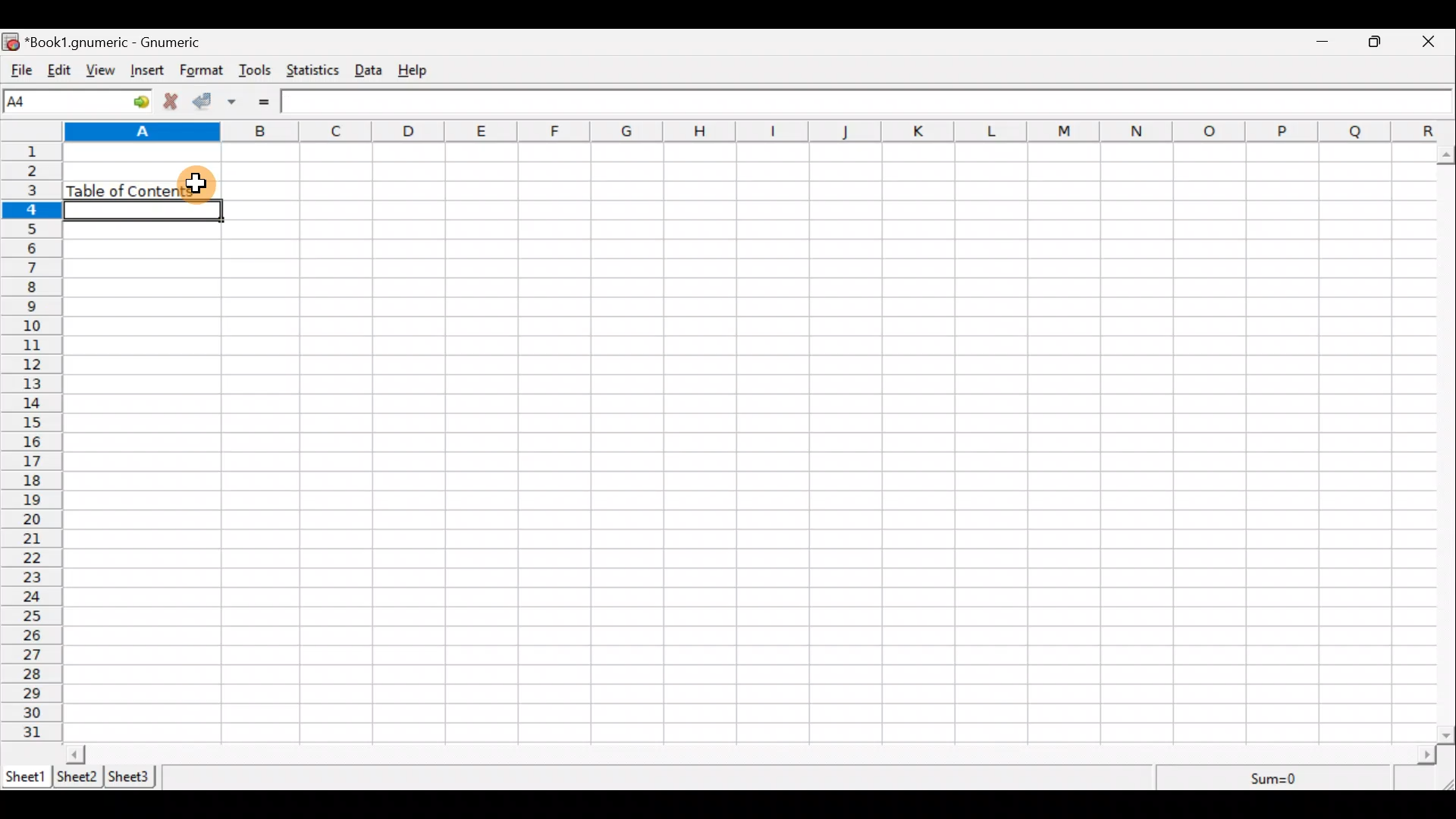 Image resolution: width=1456 pixels, height=819 pixels. What do you see at coordinates (373, 71) in the screenshot?
I see `Data` at bounding box center [373, 71].